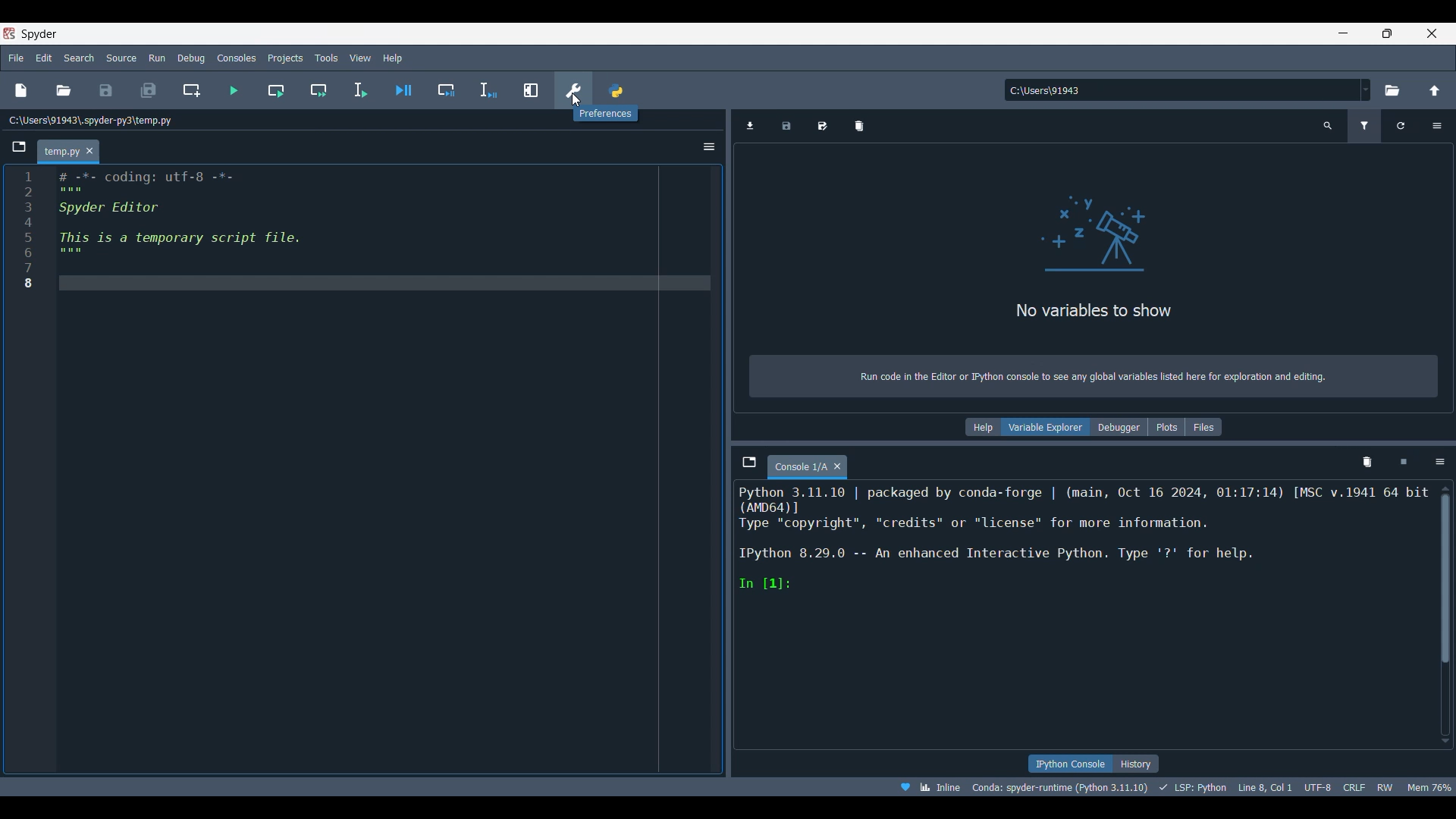 The image size is (1456, 819). I want to click on Tools menu, so click(327, 58).